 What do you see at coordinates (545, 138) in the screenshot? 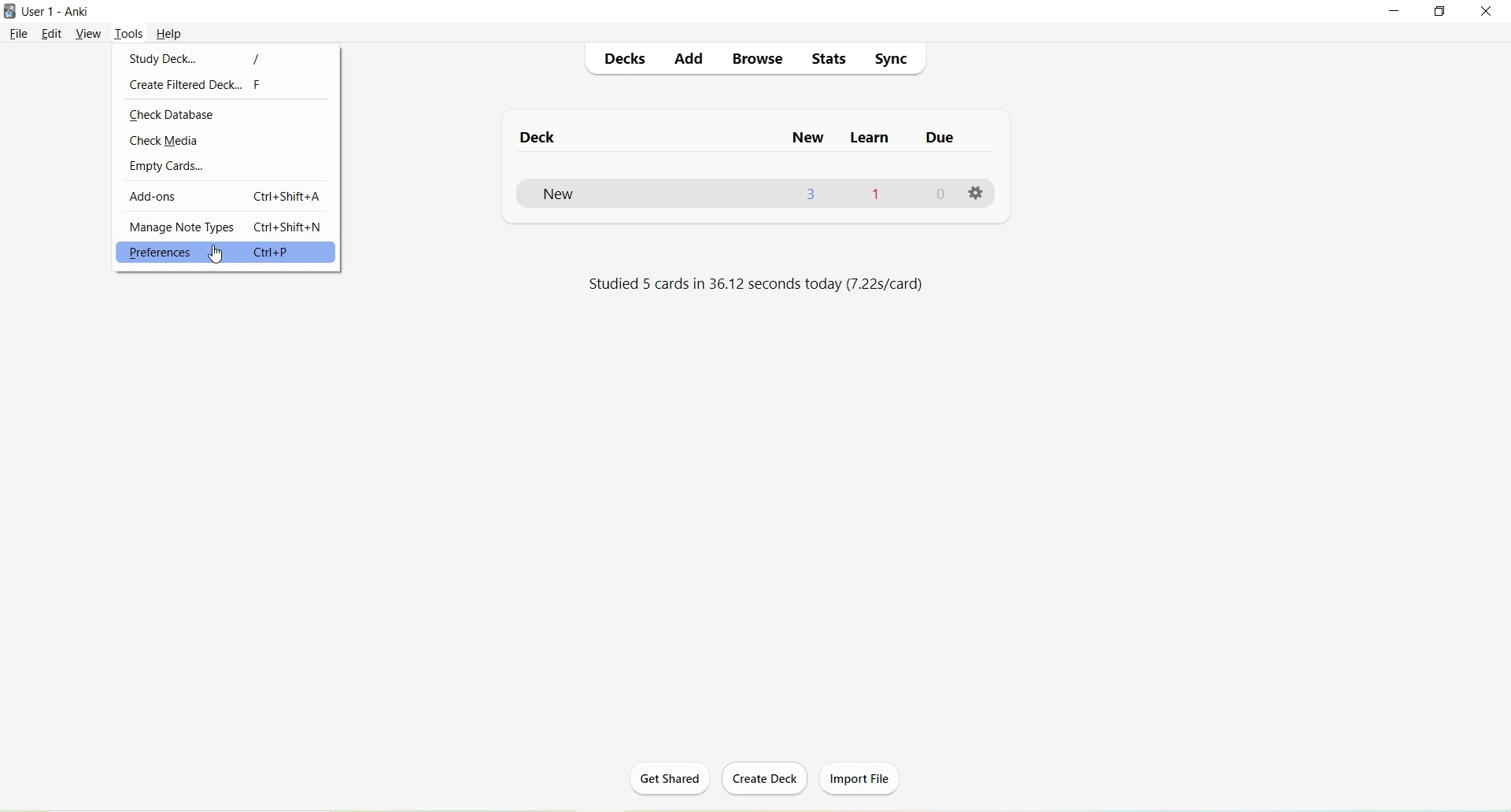
I see `Deck` at bounding box center [545, 138].